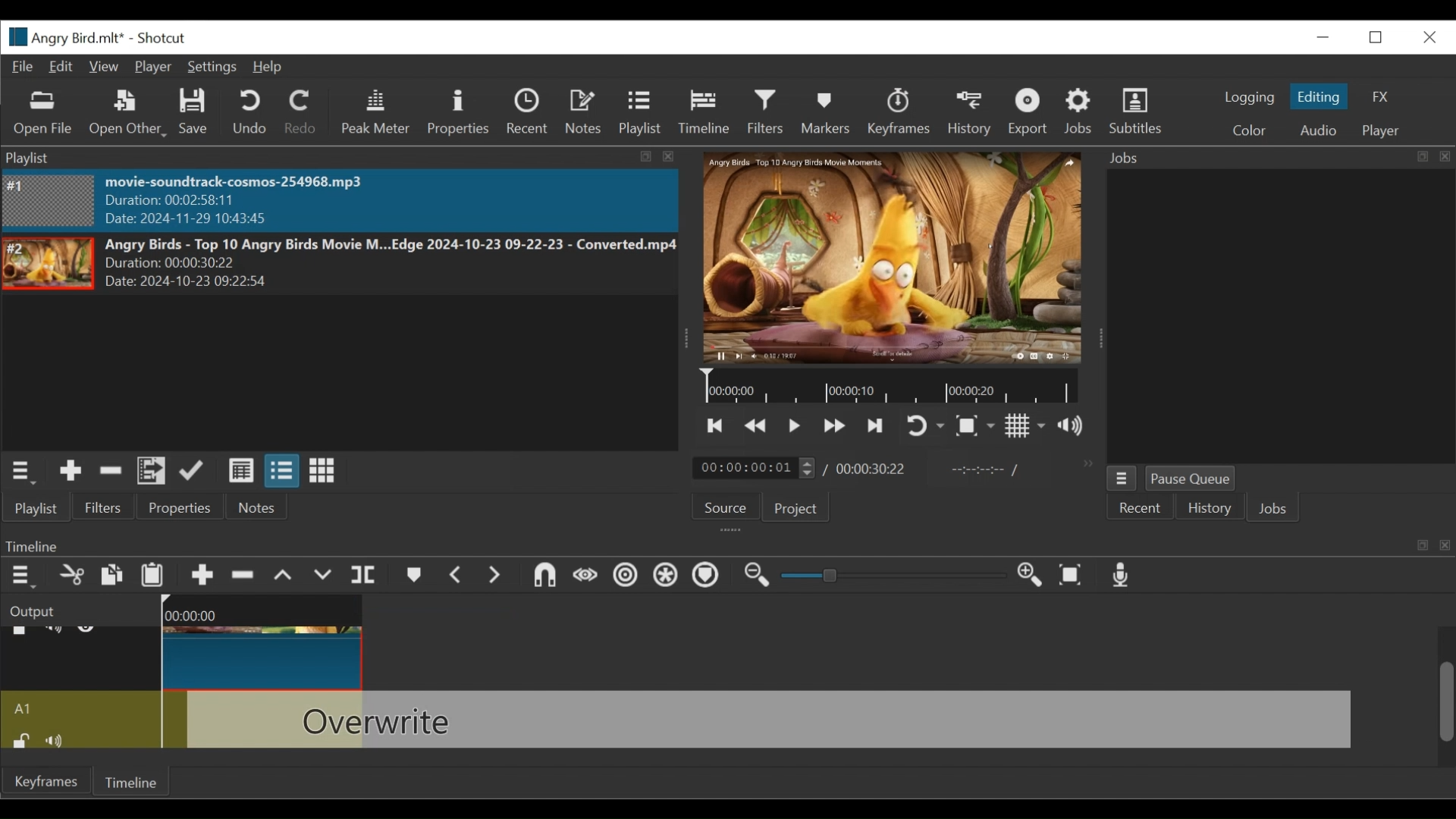 The width and height of the screenshot is (1456, 819). What do you see at coordinates (1319, 130) in the screenshot?
I see `Audio` at bounding box center [1319, 130].